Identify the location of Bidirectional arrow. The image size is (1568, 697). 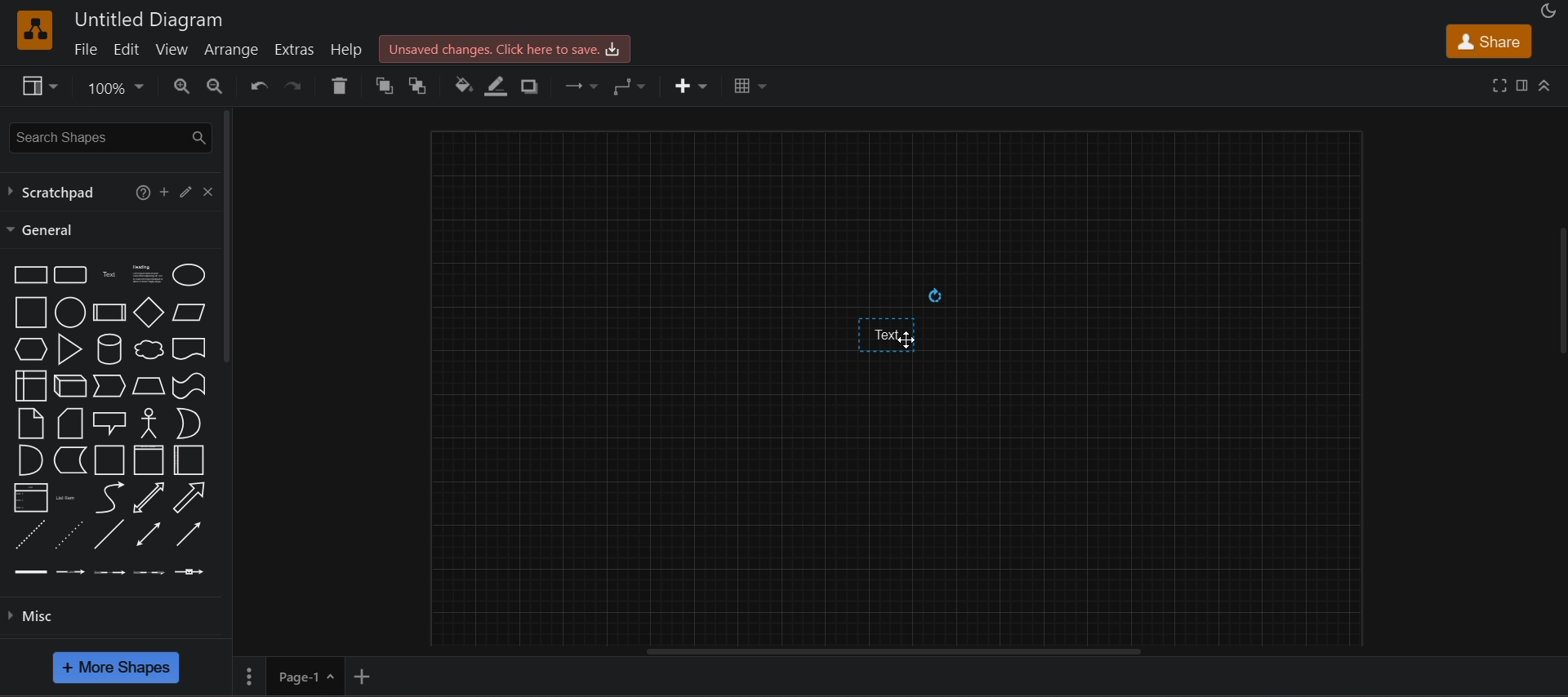
(149, 497).